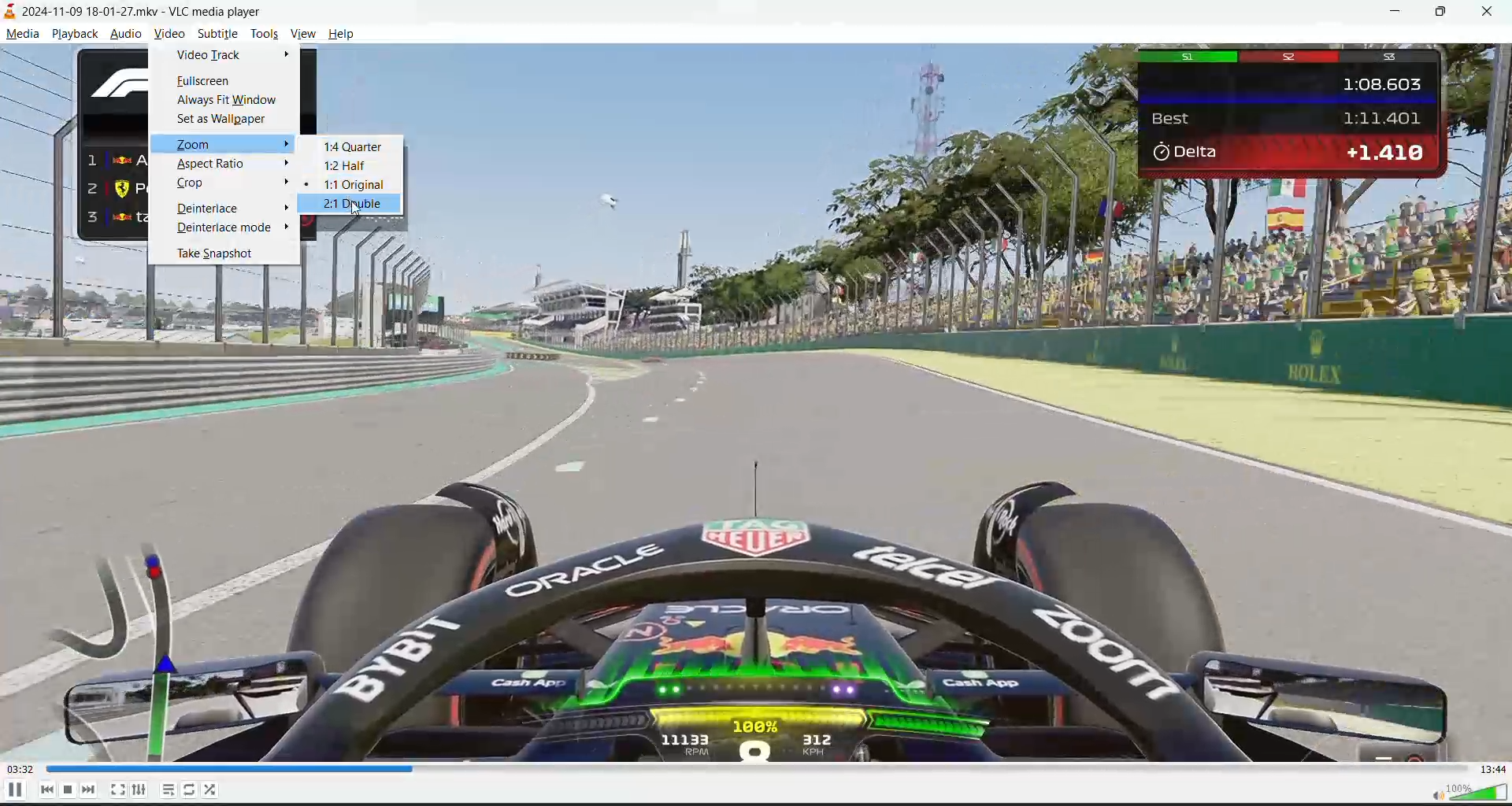 This screenshot has width=1512, height=806. What do you see at coordinates (305, 34) in the screenshot?
I see `view` at bounding box center [305, 34].